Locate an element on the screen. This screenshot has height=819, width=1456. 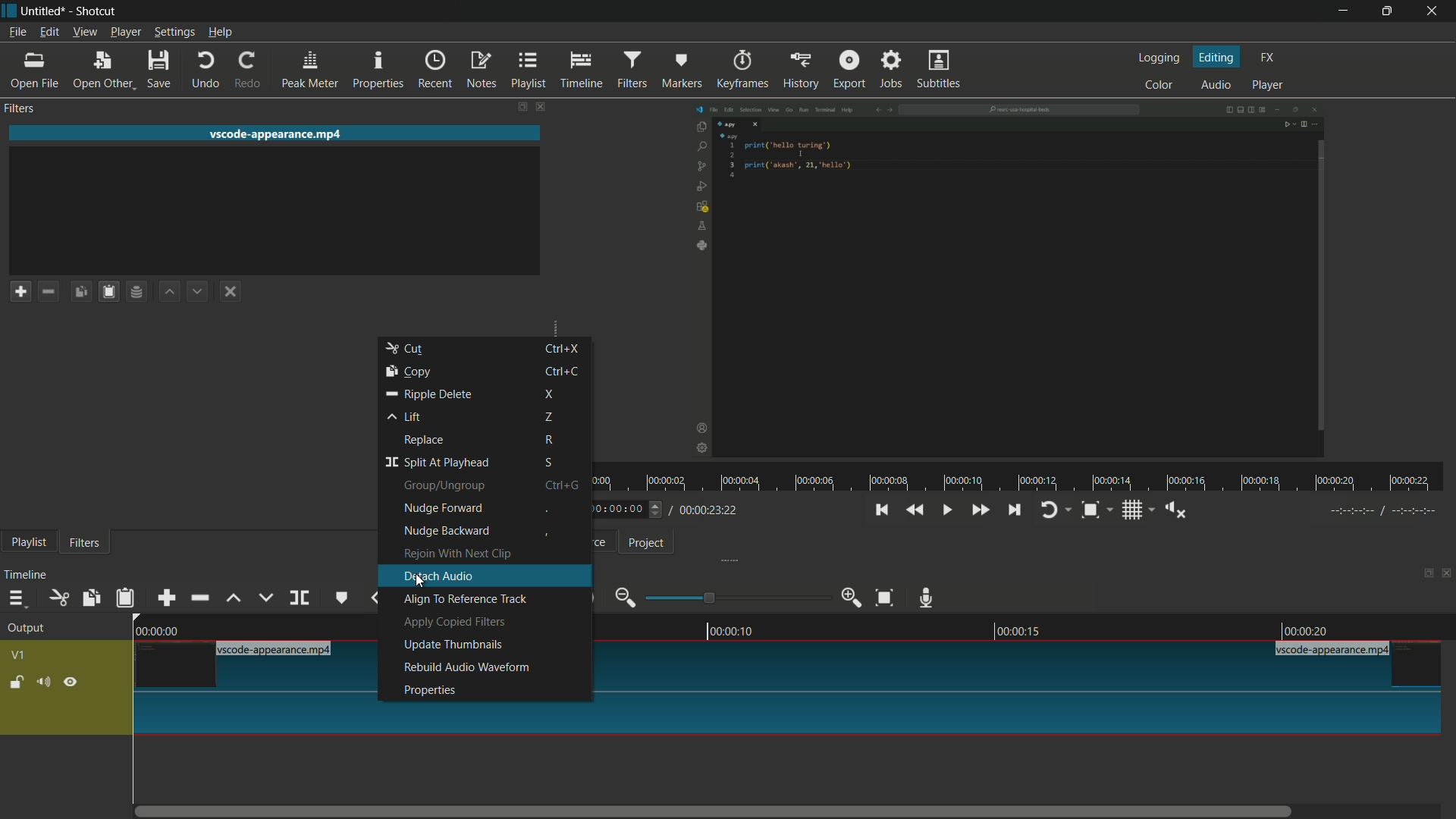
close app is located at coordinates (1433, 11).